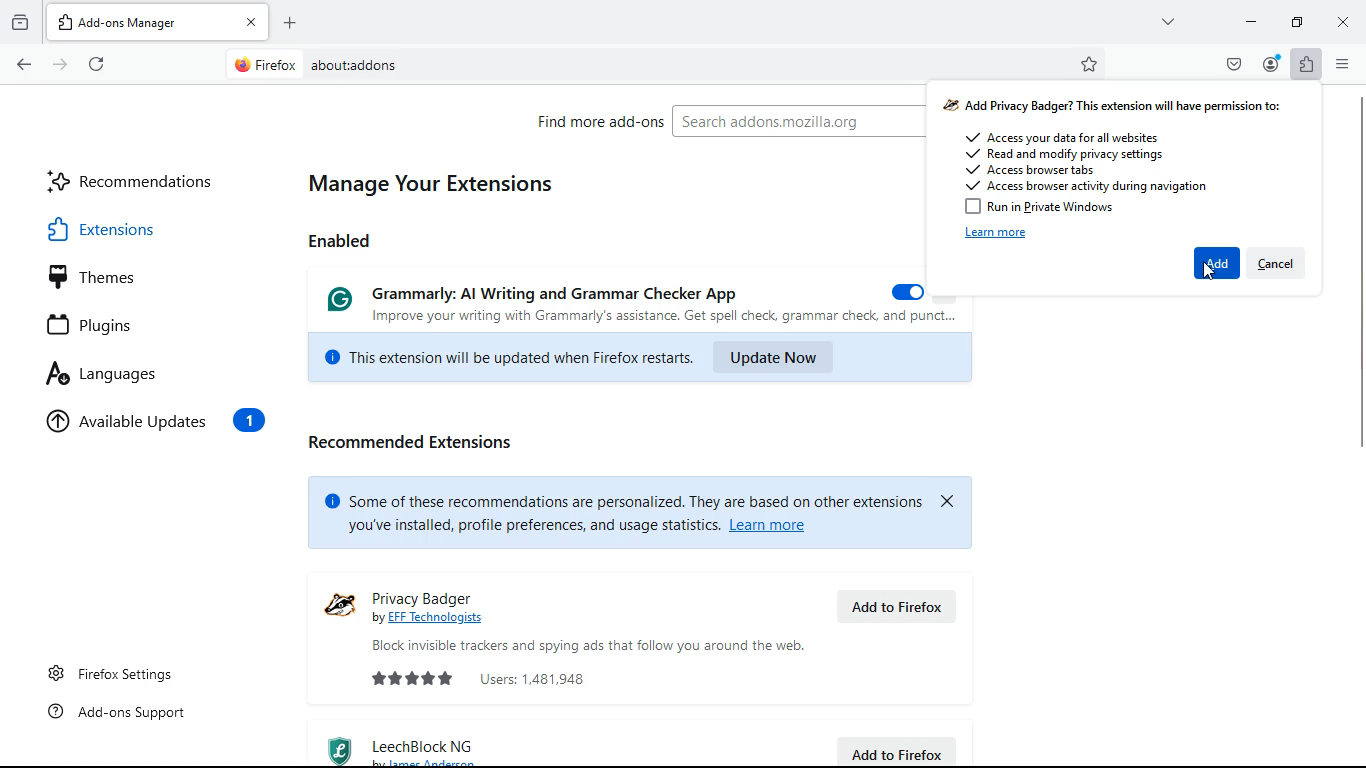 This screenshot has width=1366, height=768. What do you see at coordinates (141, 22) in the screenshot?
I see `Add-ons Manager` at bounding box center [141, 22].